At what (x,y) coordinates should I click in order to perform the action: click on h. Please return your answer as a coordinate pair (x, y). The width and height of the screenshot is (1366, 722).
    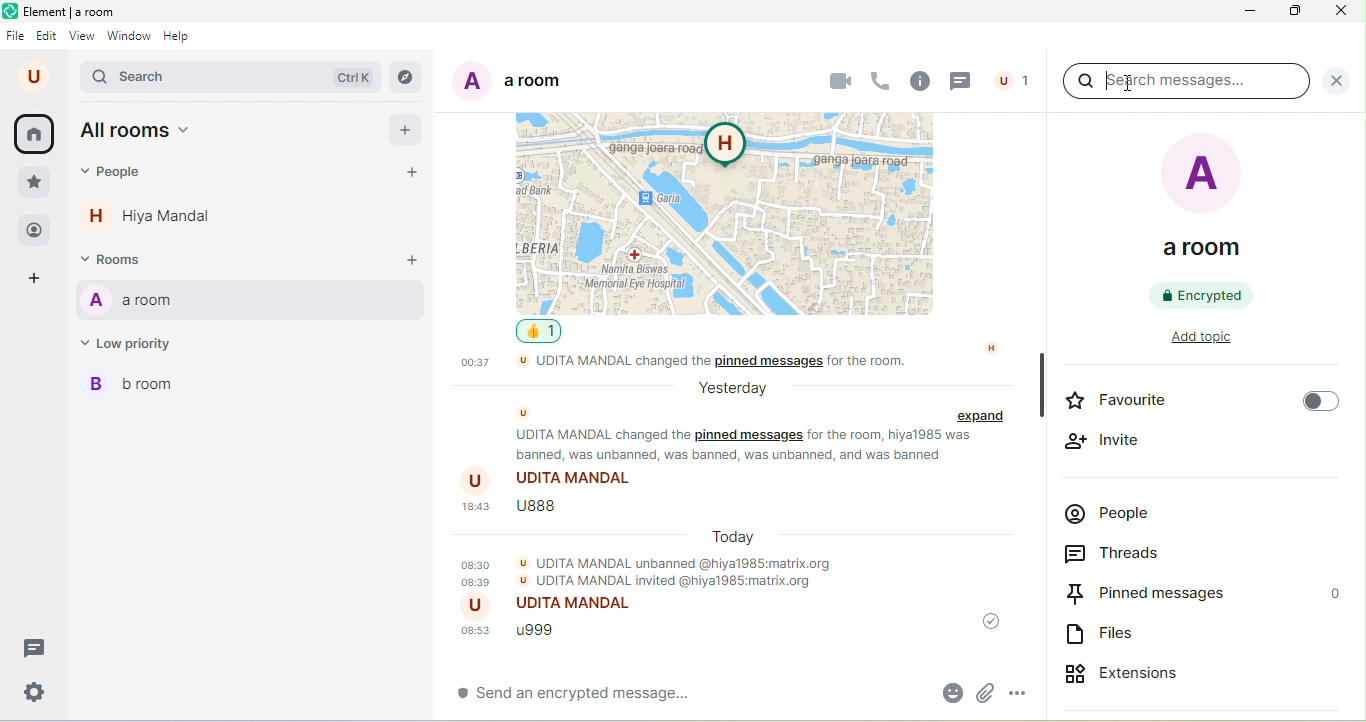
    Looking at the image, I should click on (992, 347).